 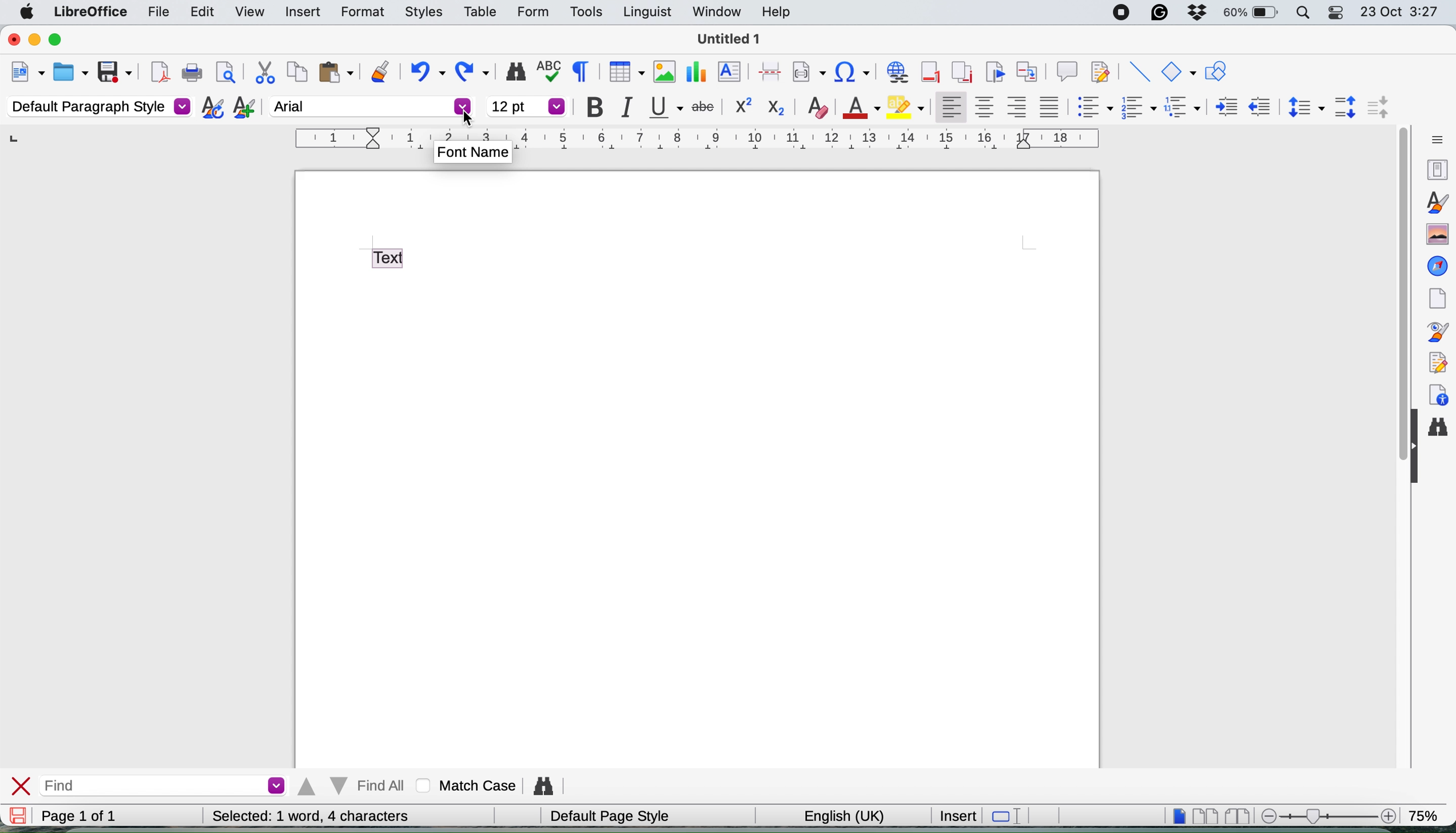 What do you see at coordinates (209, 108) in the screenshot?
I see `updated selected style` at bounding box center [209, 108].